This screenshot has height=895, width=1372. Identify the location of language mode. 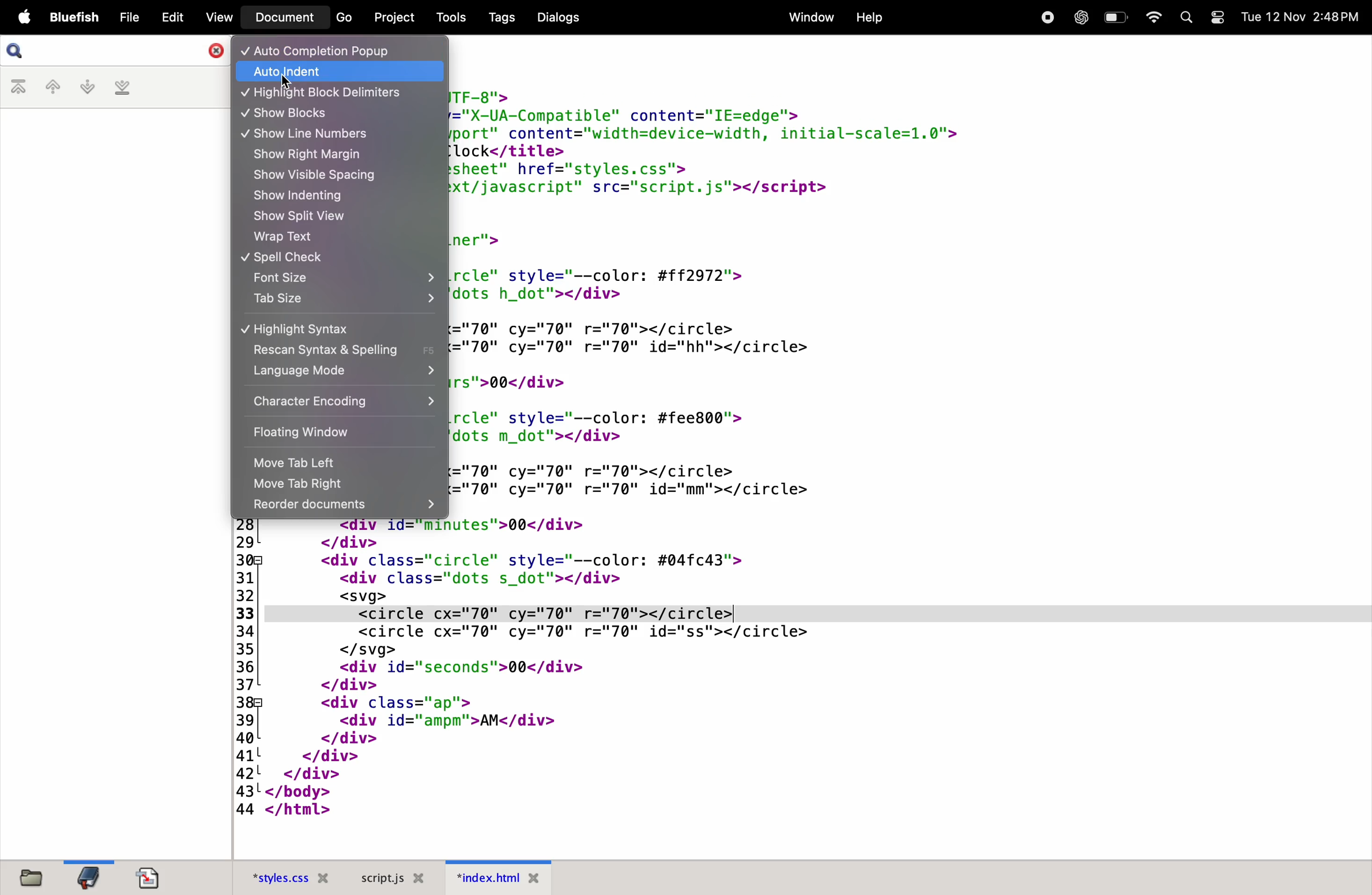
(342, 373).